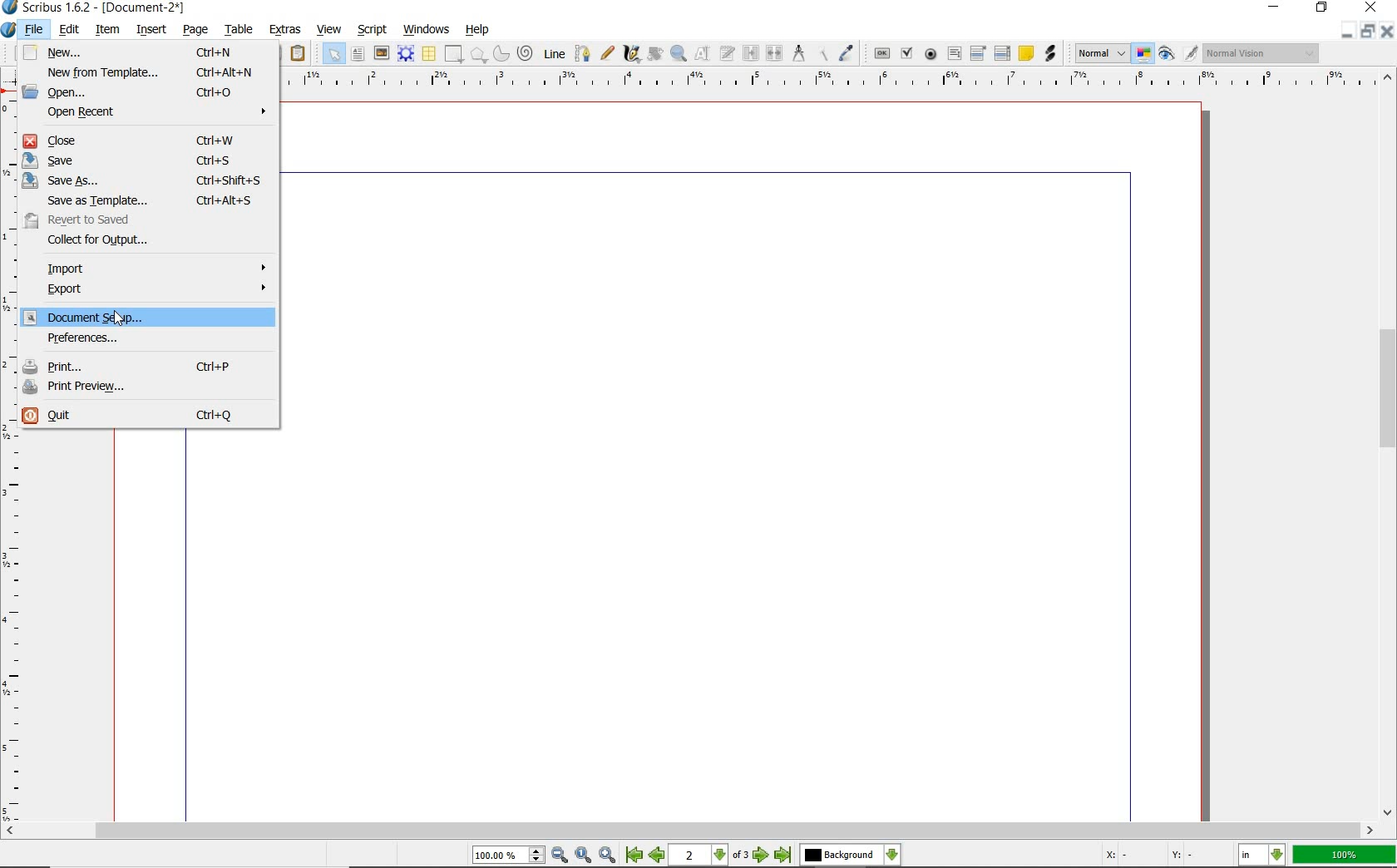  What do you see at coordinates (1346, 31) in the screenshot?
I see `Close` at bounding box center [1346, 31].